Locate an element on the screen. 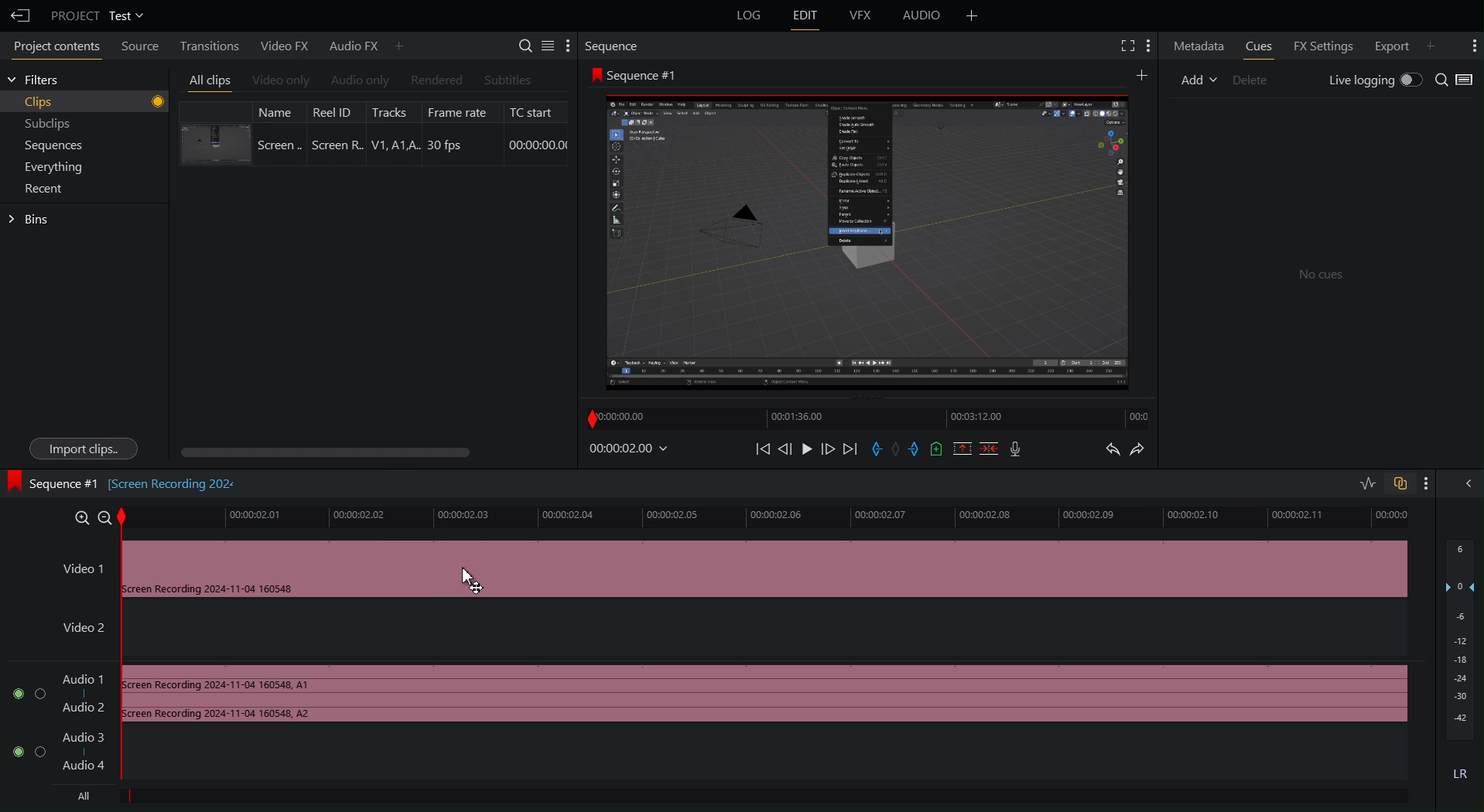  Sequence #1 is located at coordinates (641, 73).